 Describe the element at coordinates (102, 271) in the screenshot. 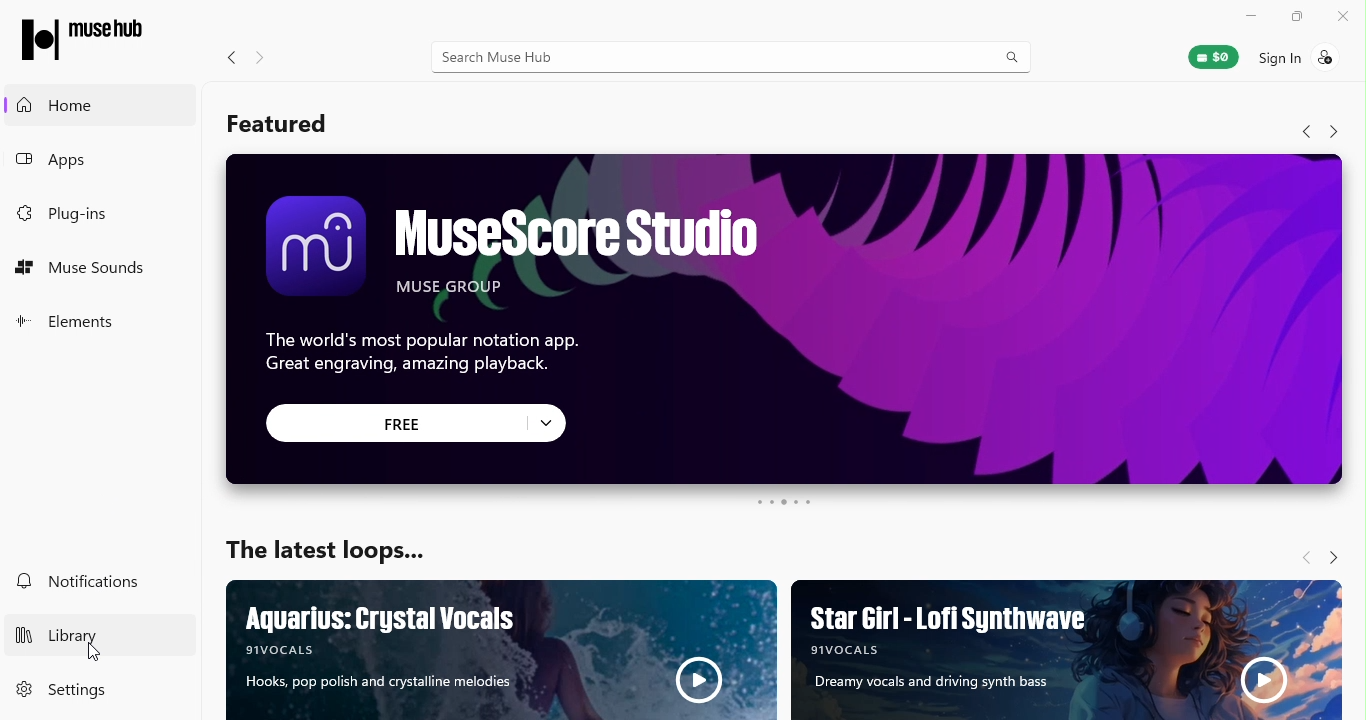

I see `Muse sounds` at that location.